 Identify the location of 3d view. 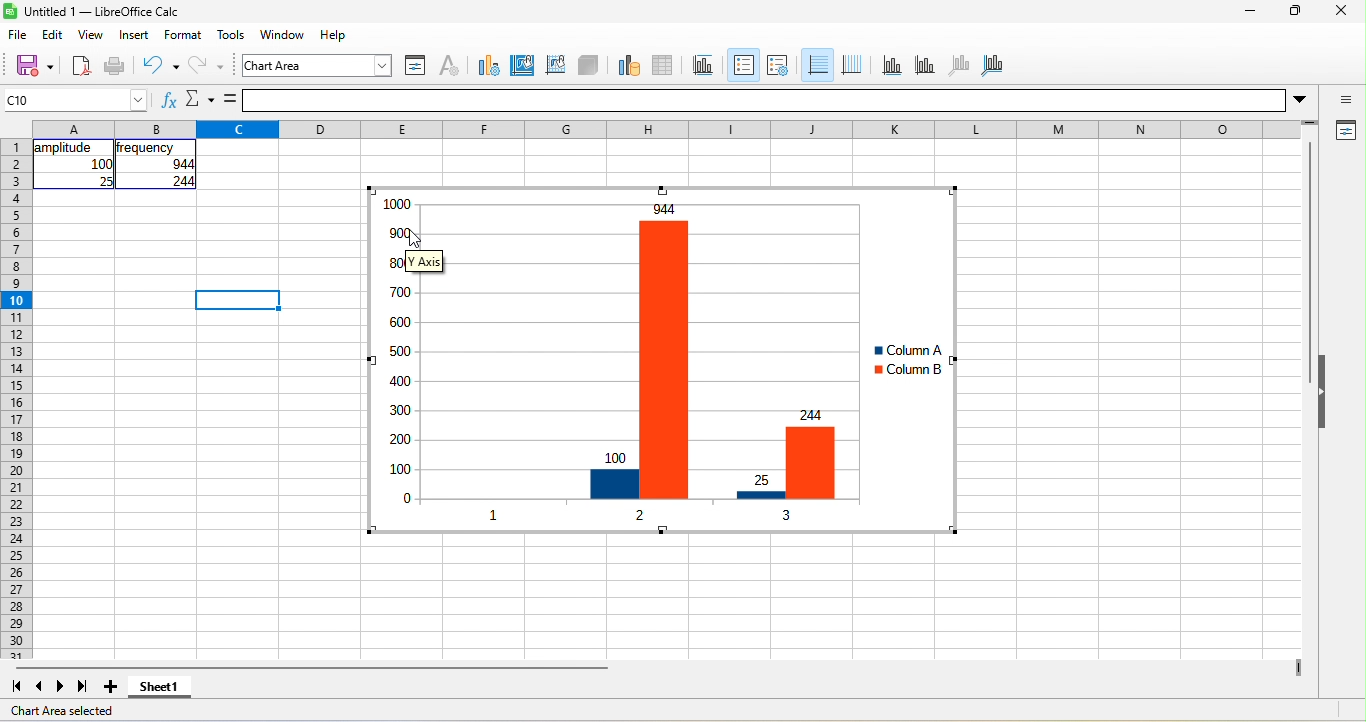
(589, 64).